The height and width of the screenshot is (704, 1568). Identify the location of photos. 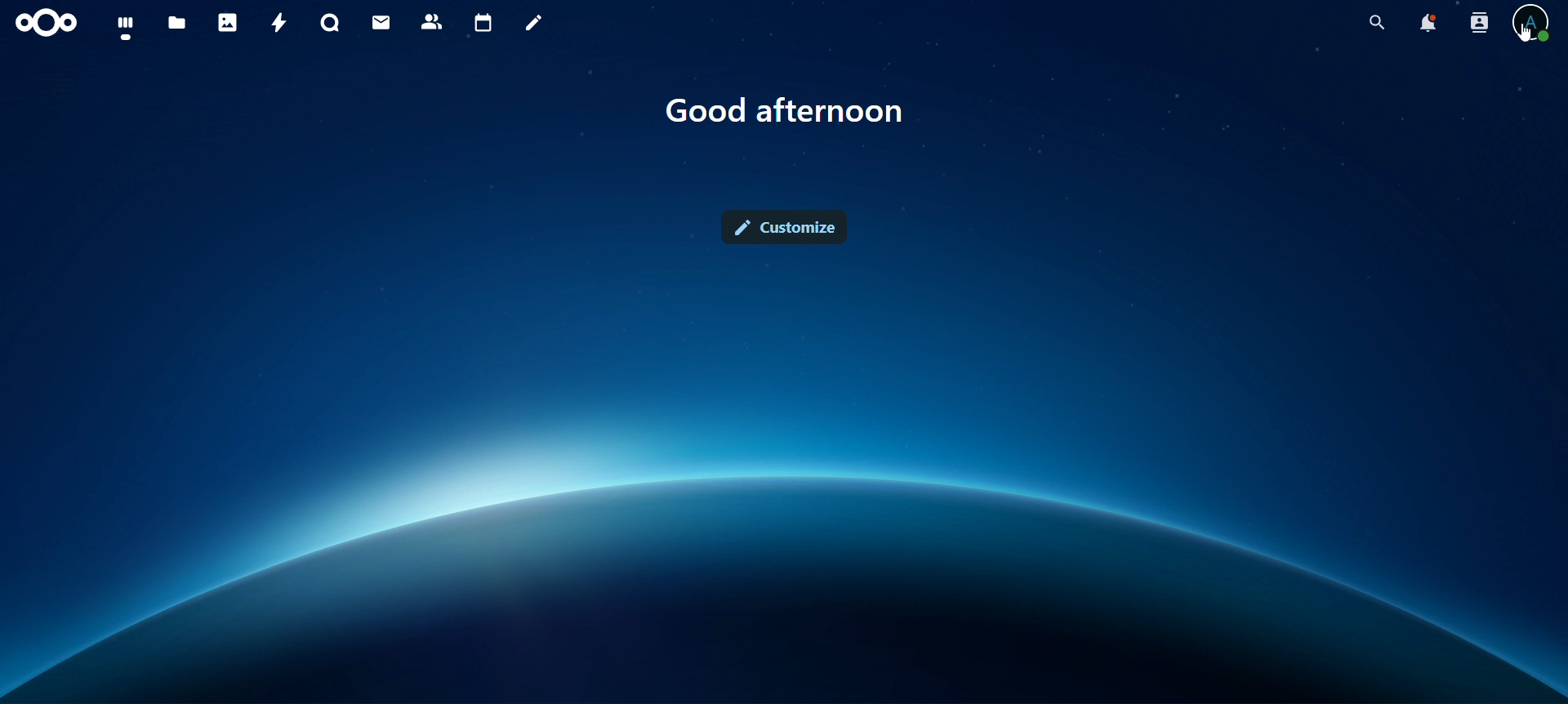
(229, 23).